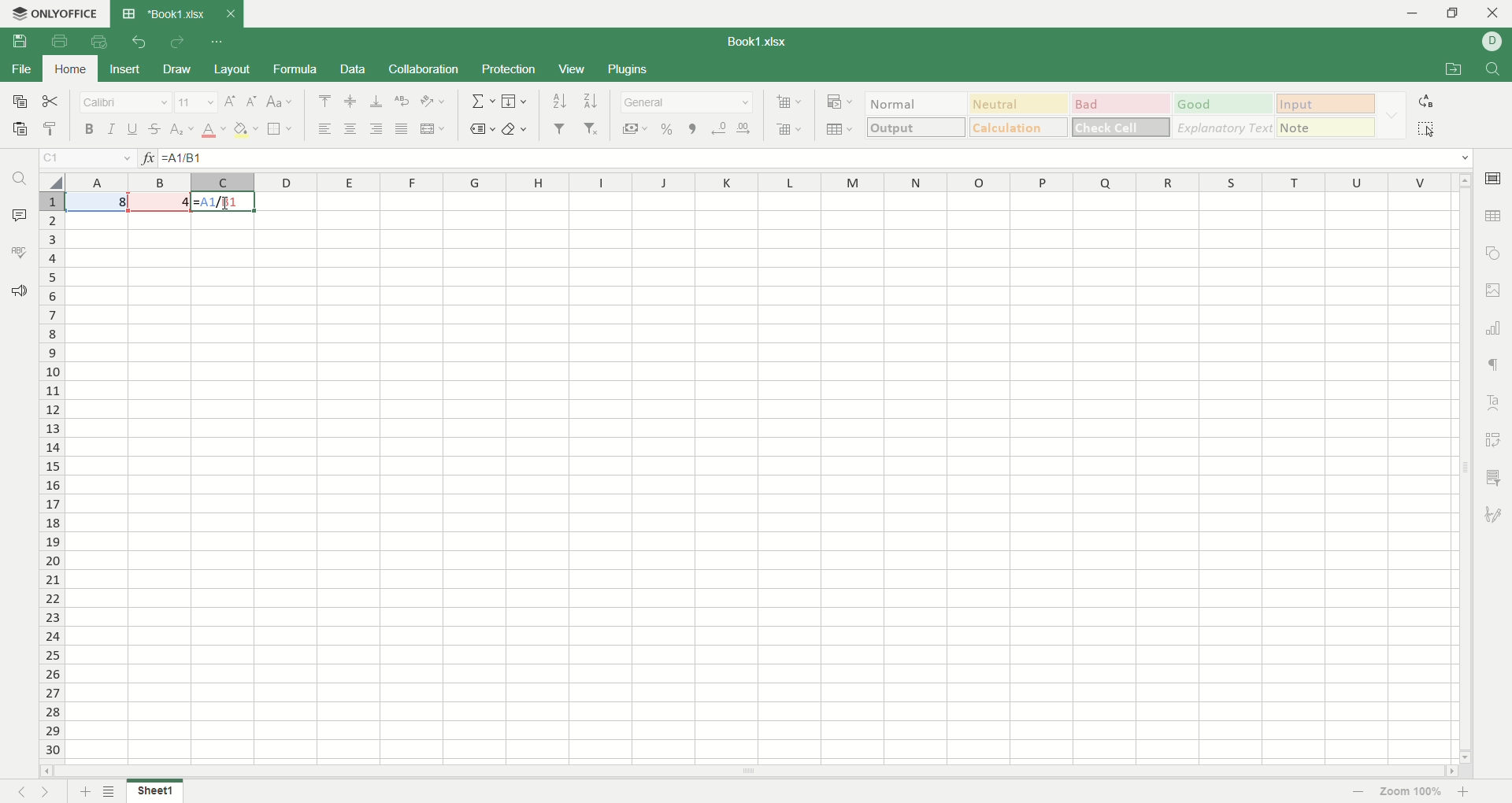  Describe the element at coordinates (133, 128) in the screenshot. I see `underline` at that location.